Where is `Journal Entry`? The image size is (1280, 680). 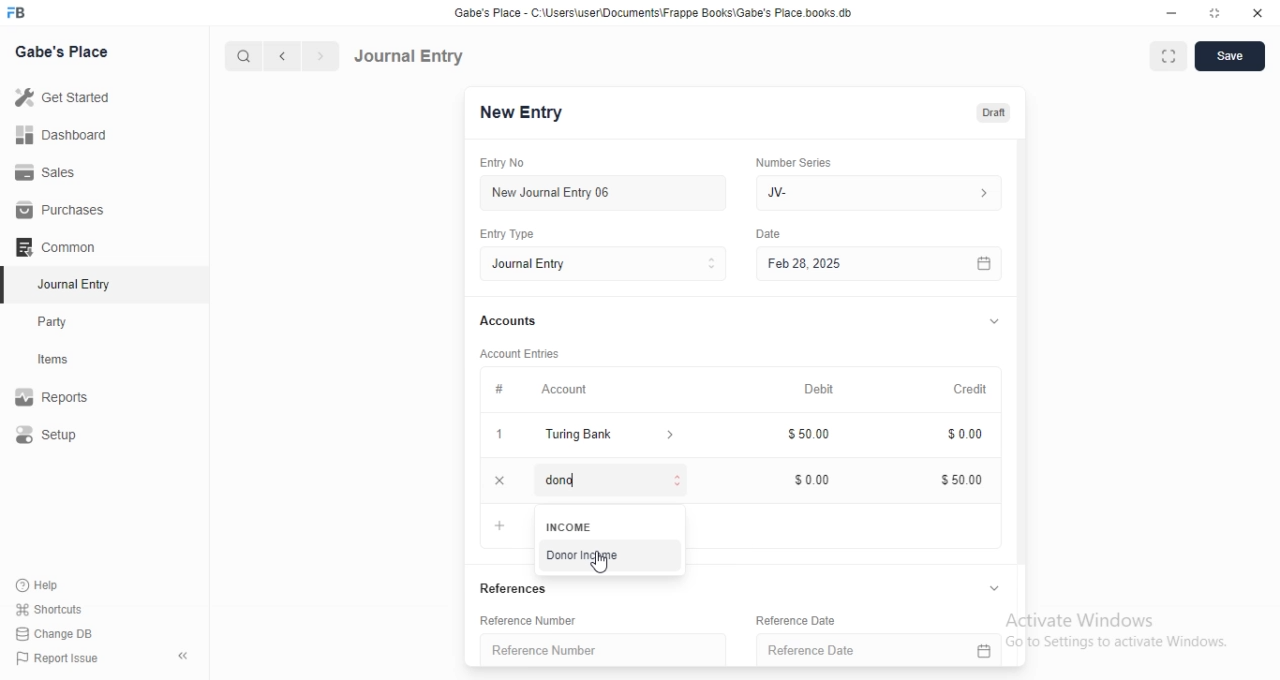 Journal Entry is located at coordinates (410, 55).